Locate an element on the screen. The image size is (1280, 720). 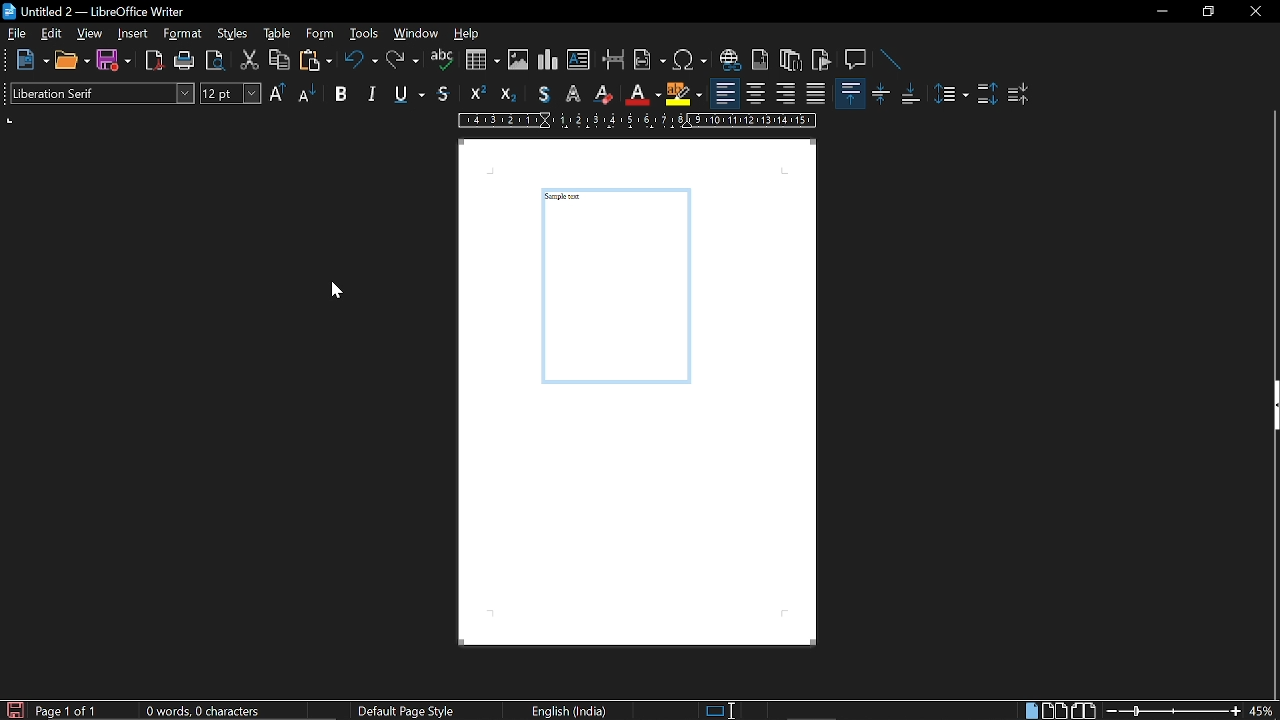
close is located at coordinates (1254, 13).